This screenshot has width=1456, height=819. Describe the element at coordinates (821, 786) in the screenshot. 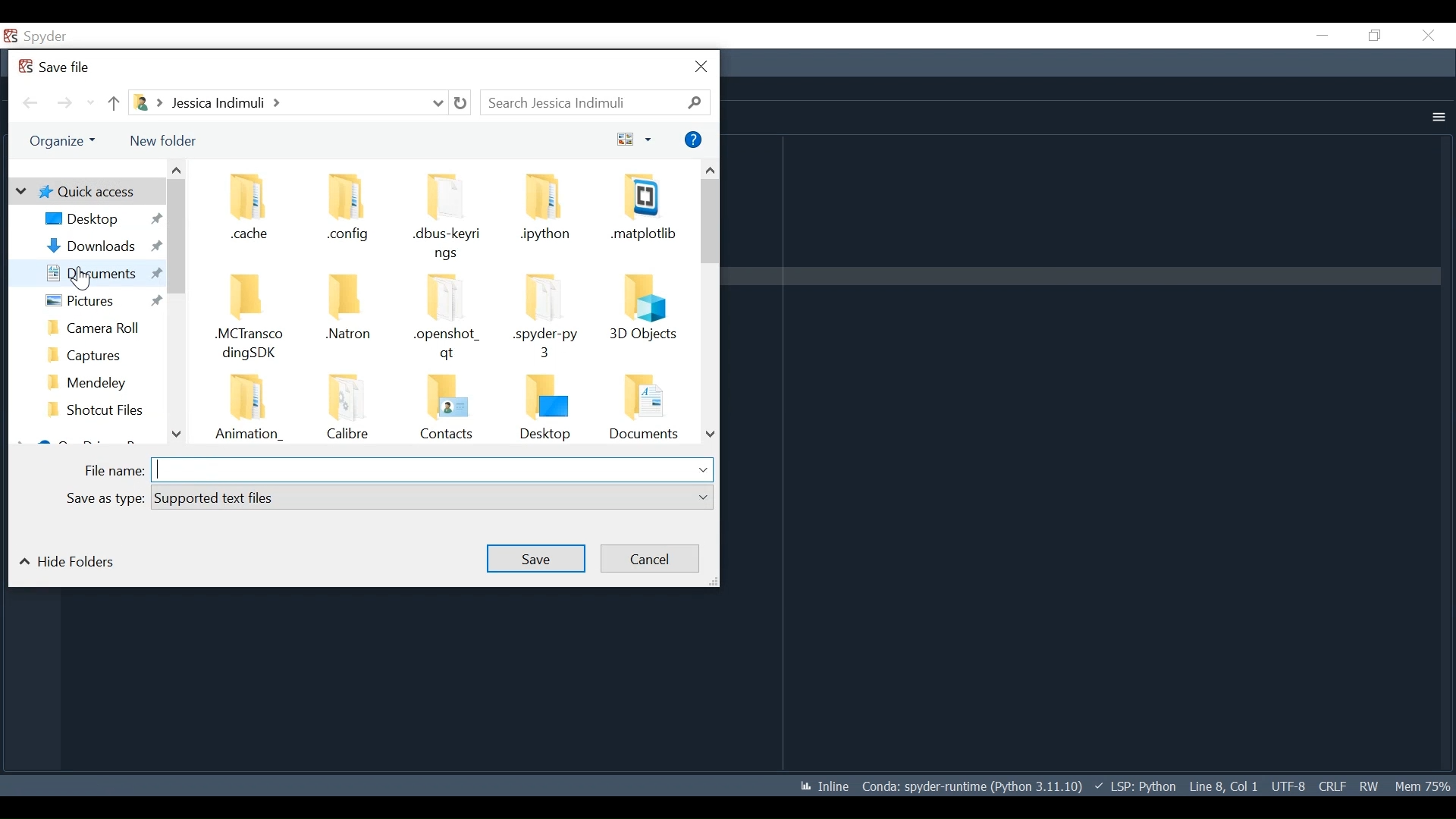

I see `Toggle between inline and interactive Matplotlib plotting` at that location.